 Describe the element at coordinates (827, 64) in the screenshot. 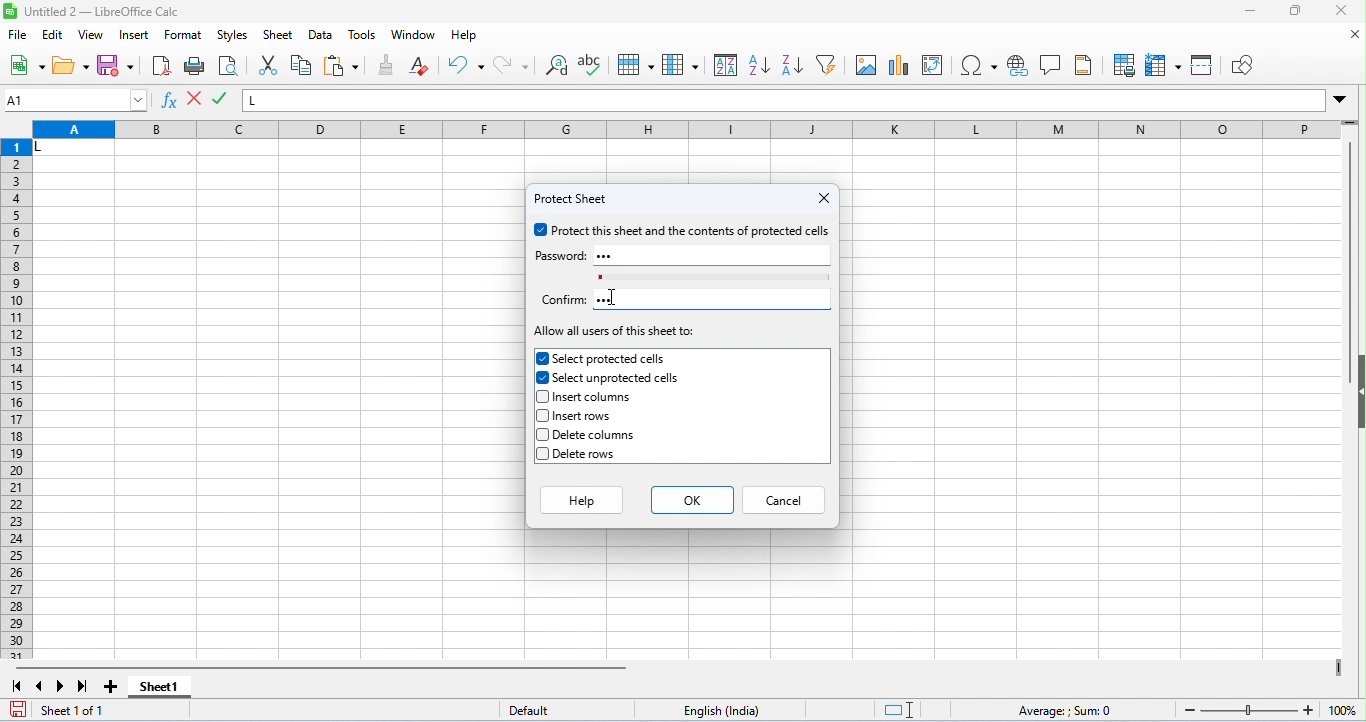

I see `filter` at that location.